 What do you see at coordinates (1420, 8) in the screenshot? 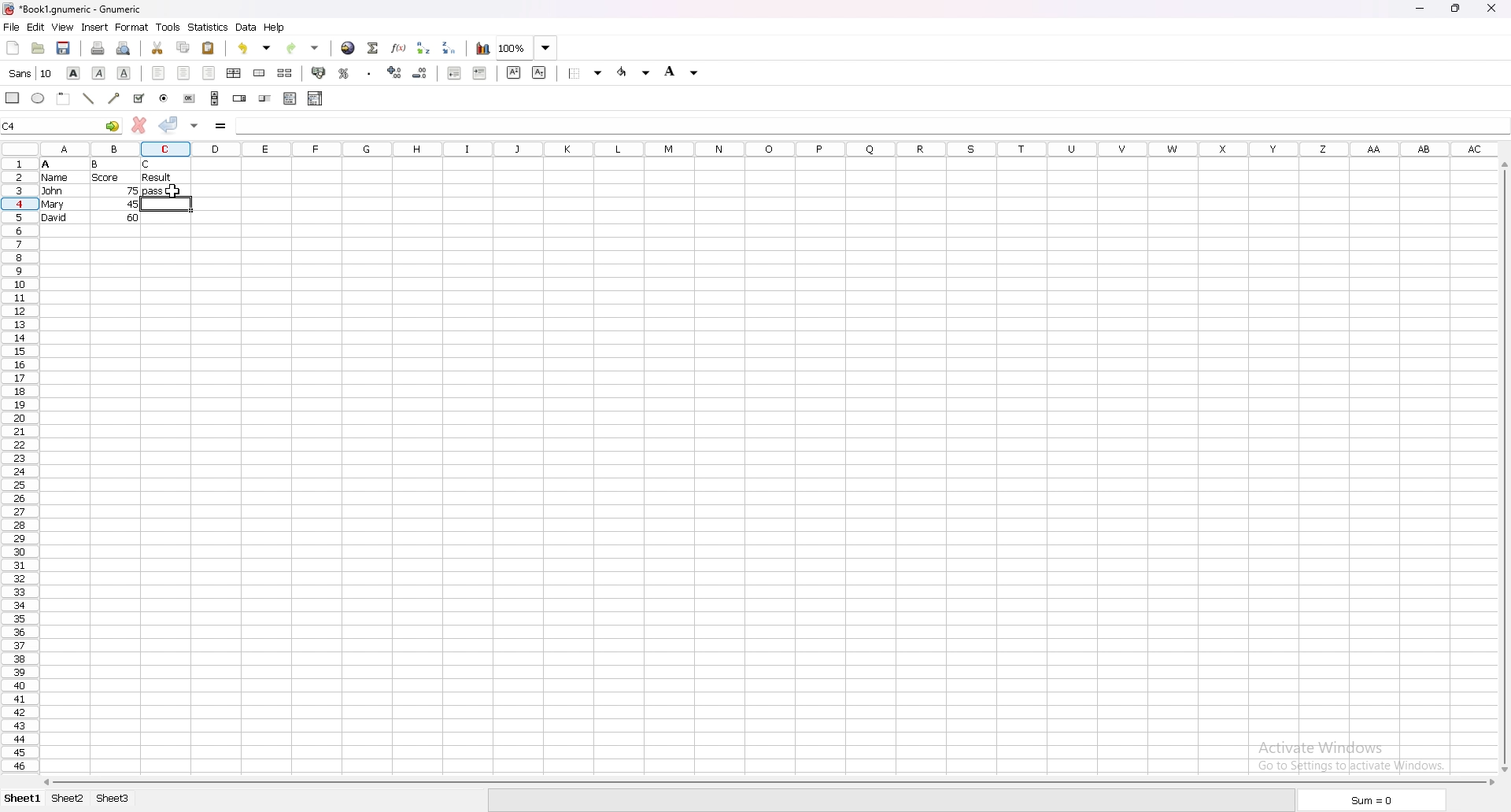
I see `minimize` at bounding box center [1420, 8].